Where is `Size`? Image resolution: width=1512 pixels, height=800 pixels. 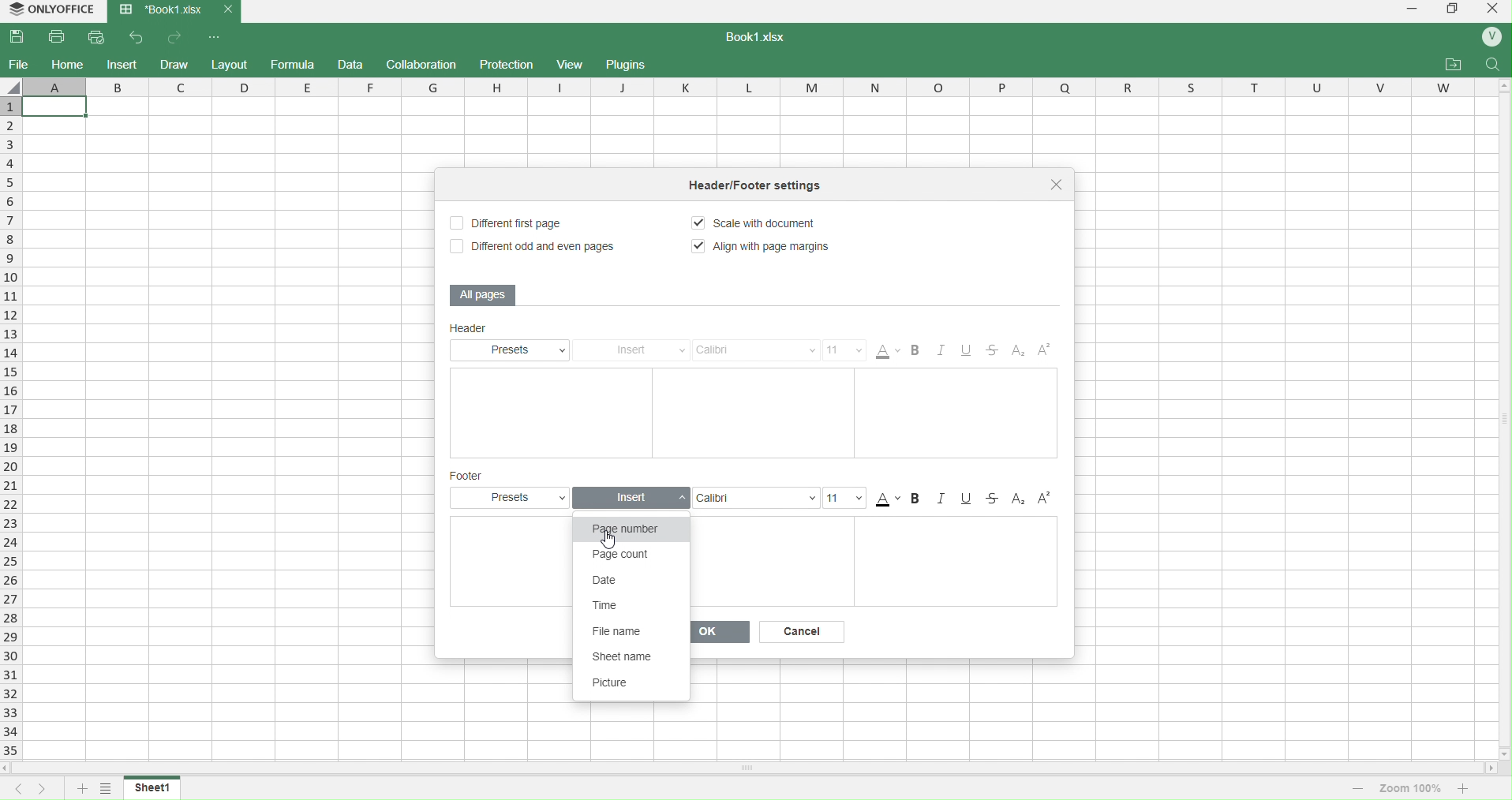
Size is located at coordinates (847, 498).